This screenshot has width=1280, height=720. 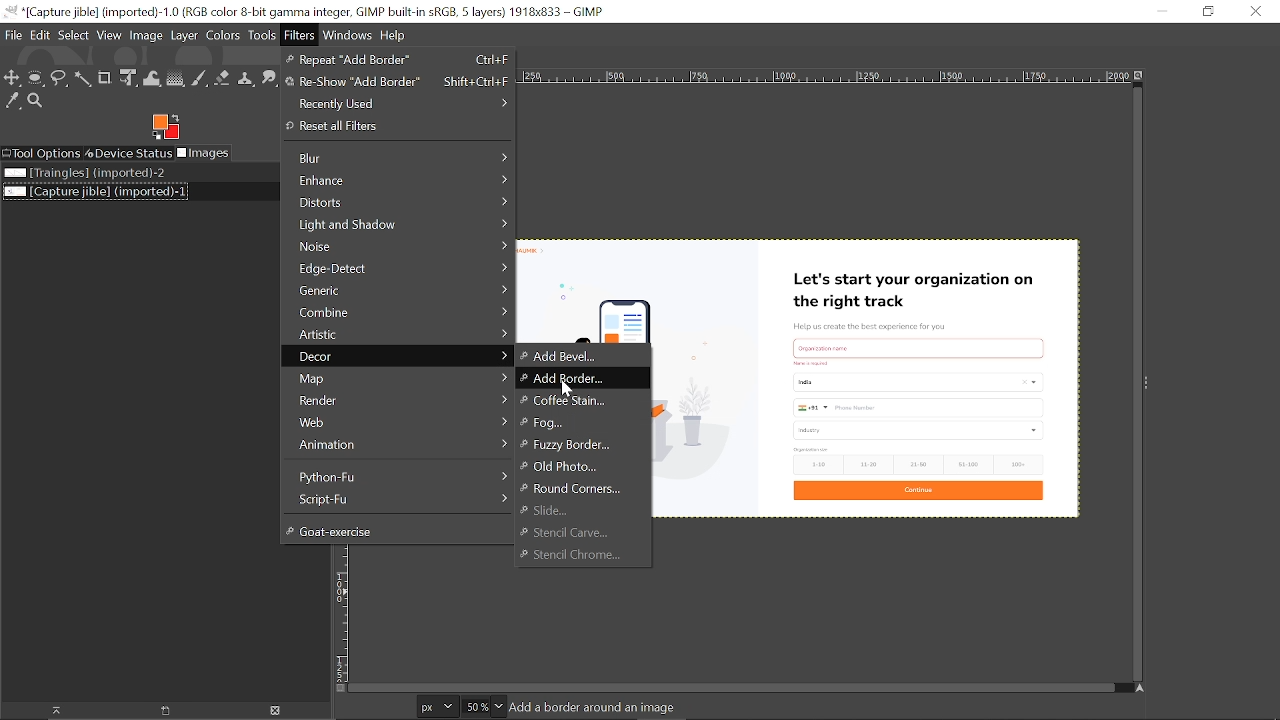 I want to click on Blur, so click(x=401, y=158).